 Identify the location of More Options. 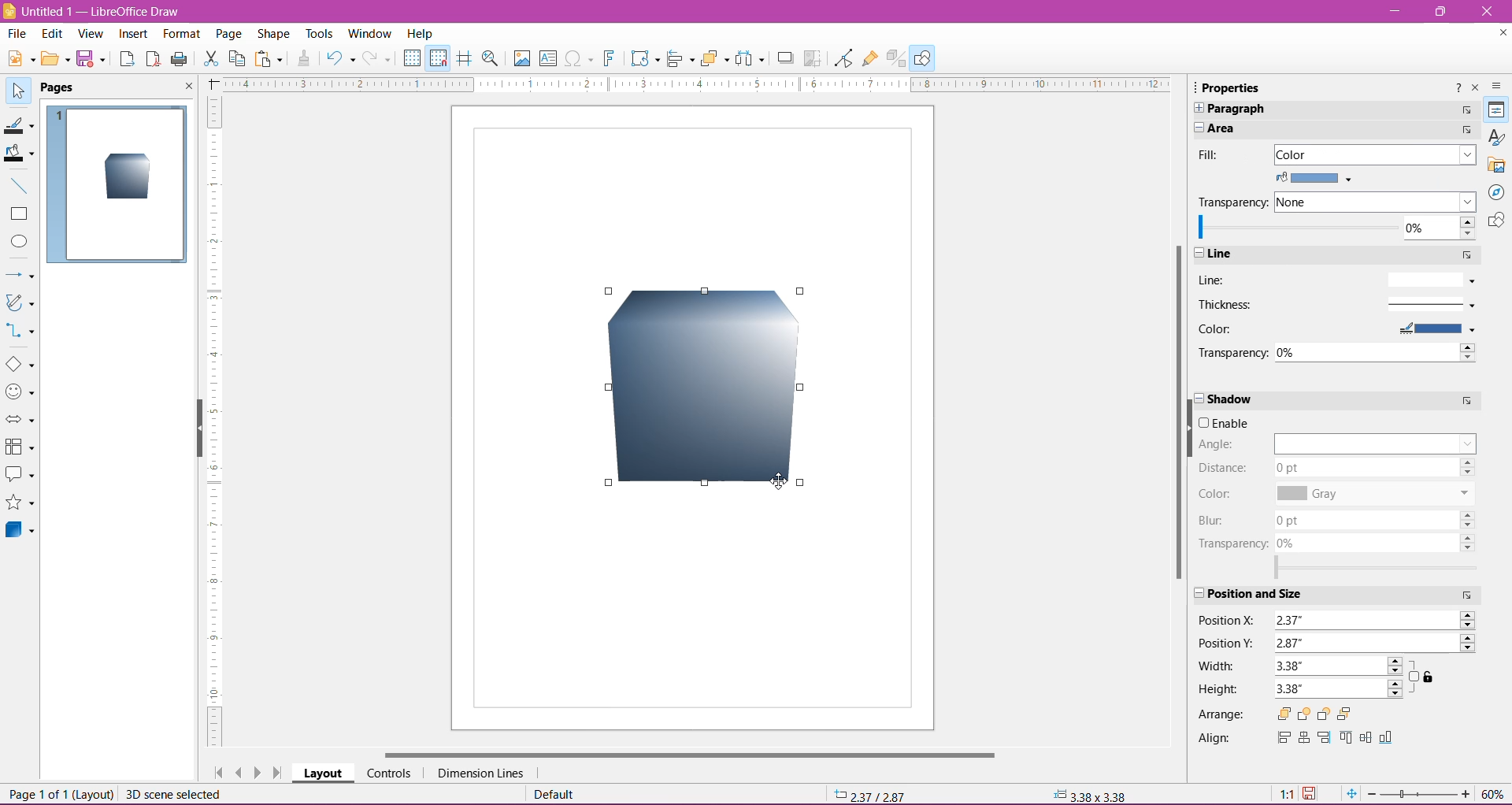
(1469, 595).